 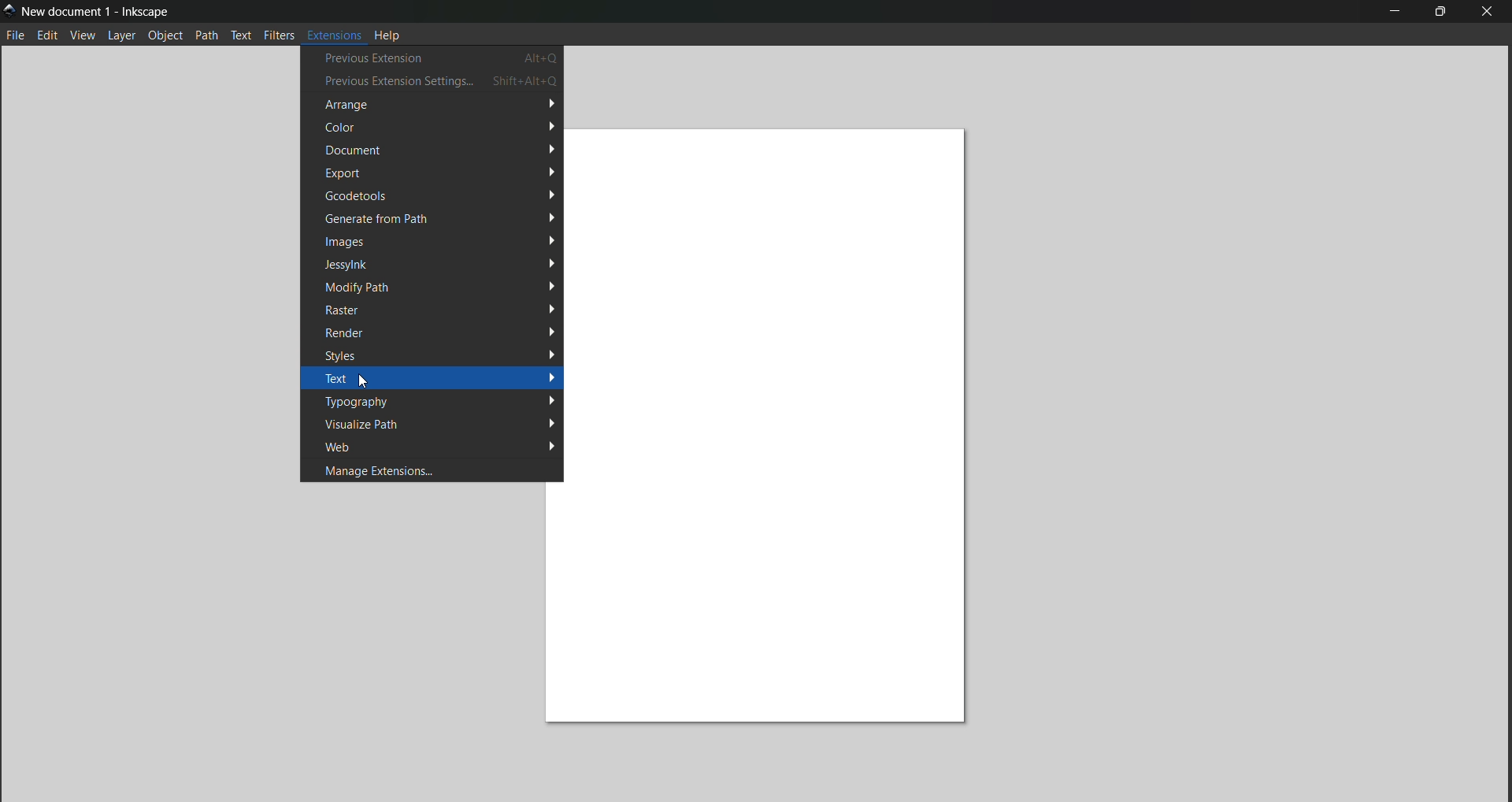 I want to click on path, so click(x=207, y=35).